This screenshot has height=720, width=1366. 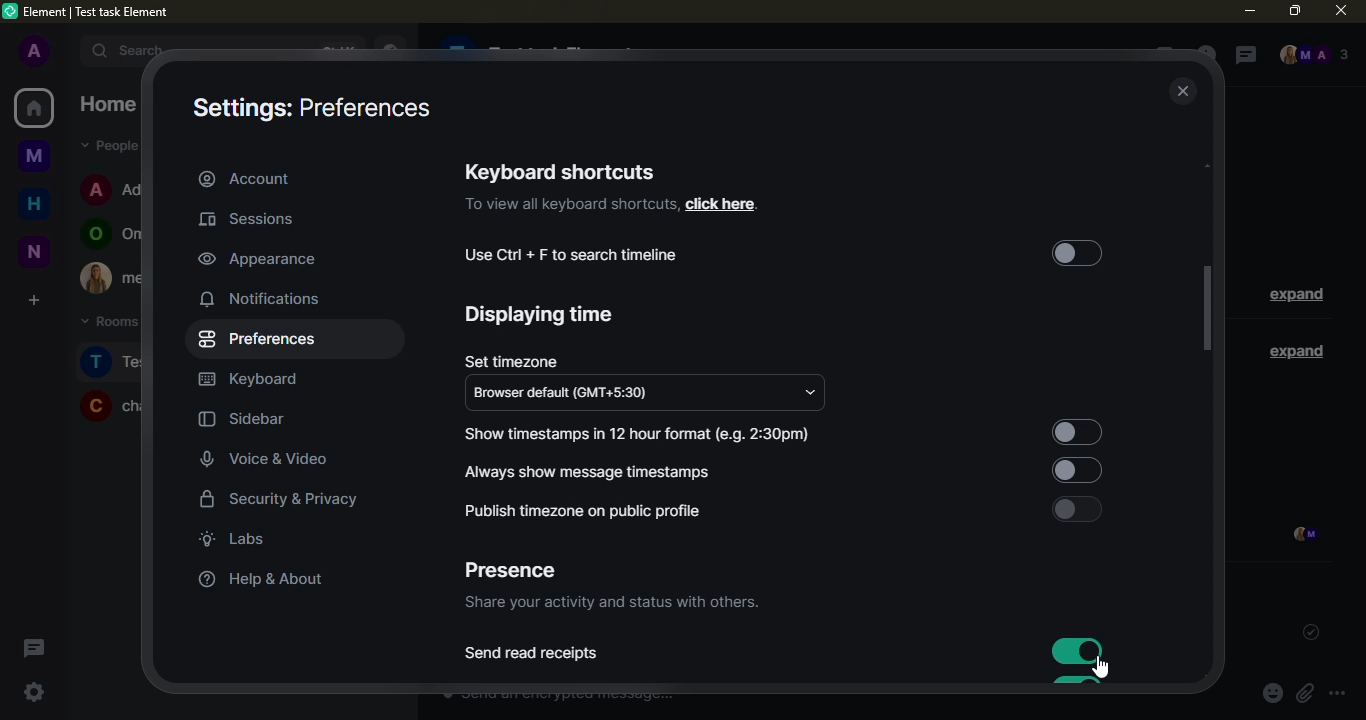 I want to click on seen, so click(x=1302, y=536).